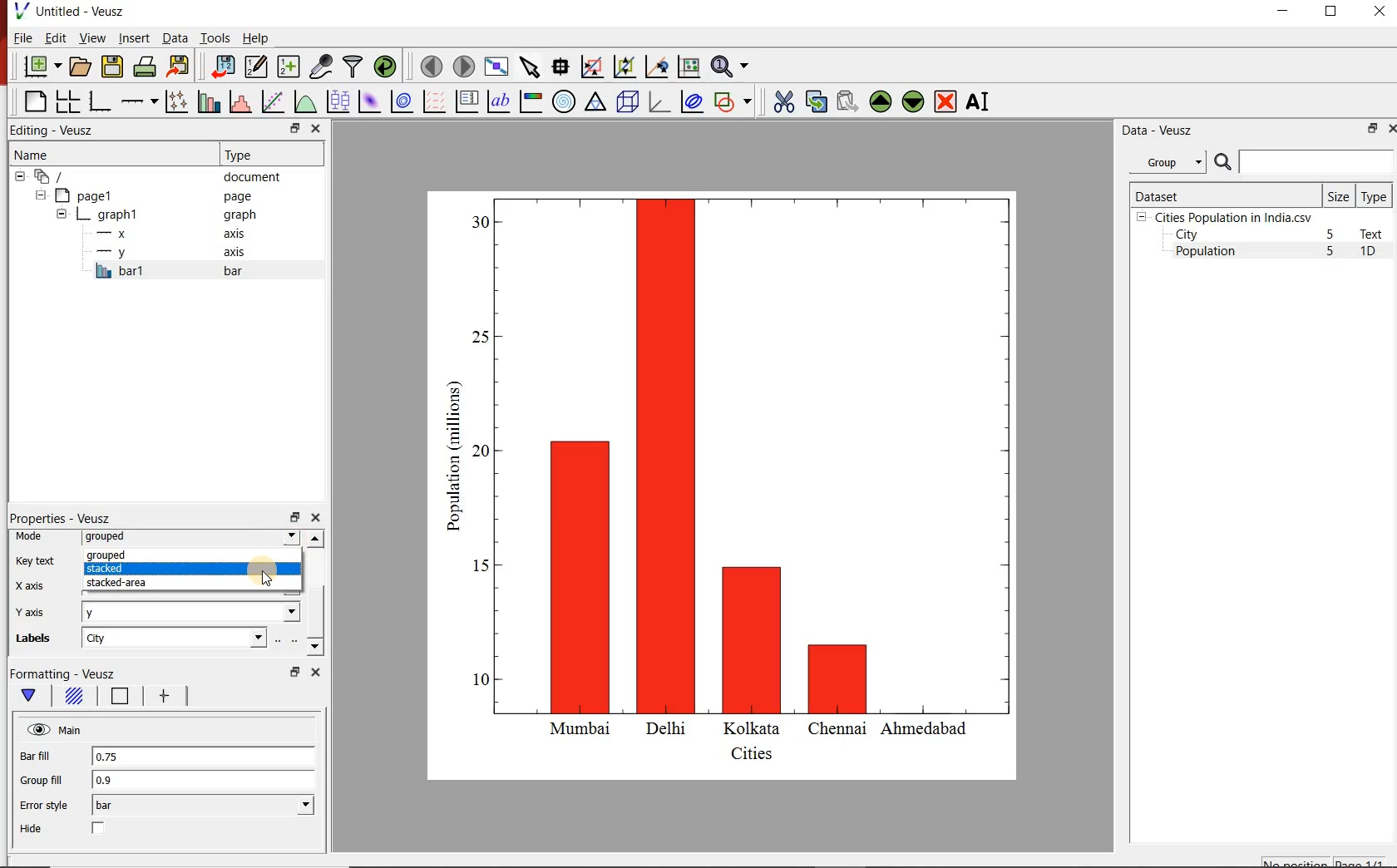 The image size is (1397, 868). I want to click on move to the next page, so click(462, 66).